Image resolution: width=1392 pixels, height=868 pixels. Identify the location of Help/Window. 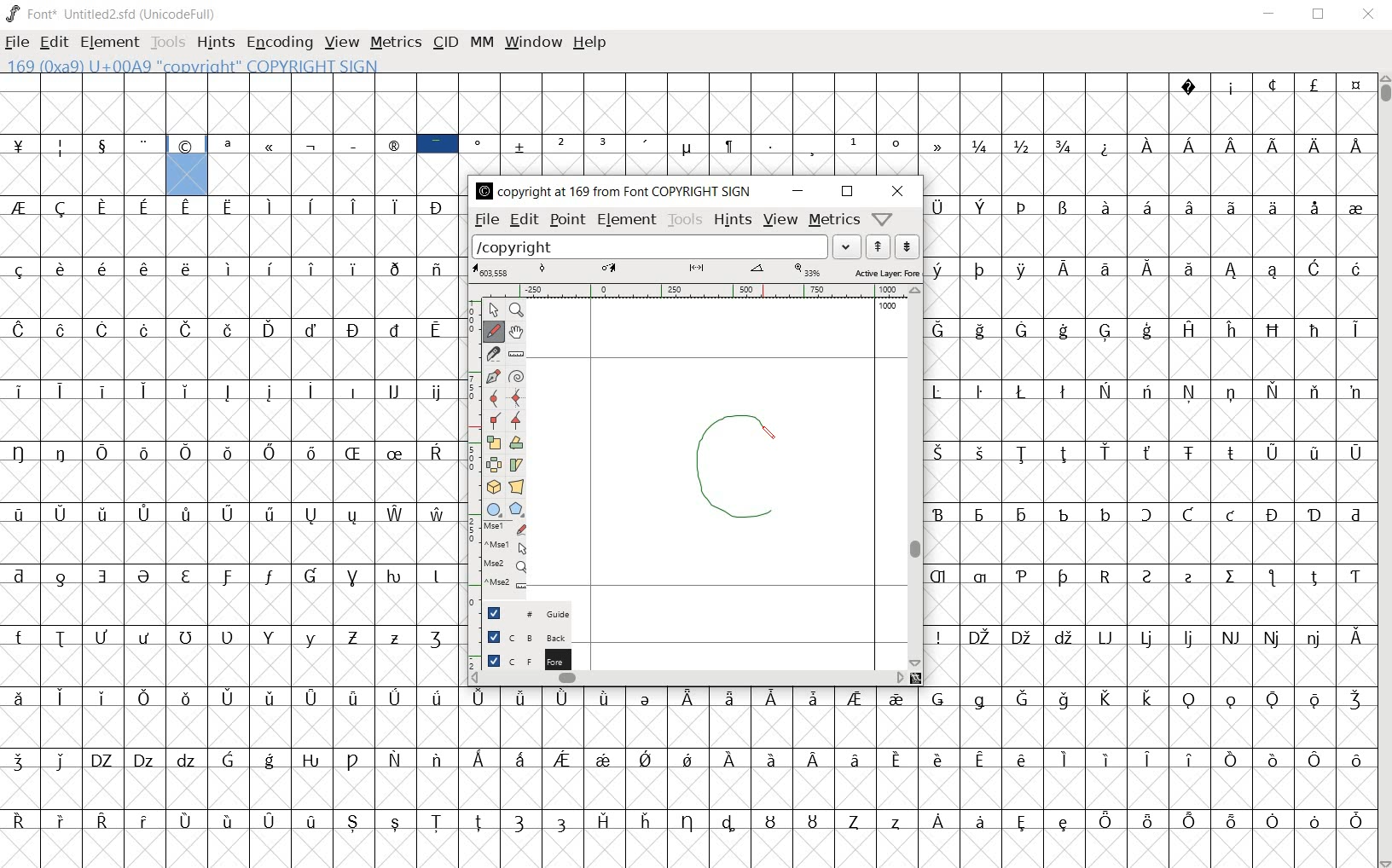
(884, 218).